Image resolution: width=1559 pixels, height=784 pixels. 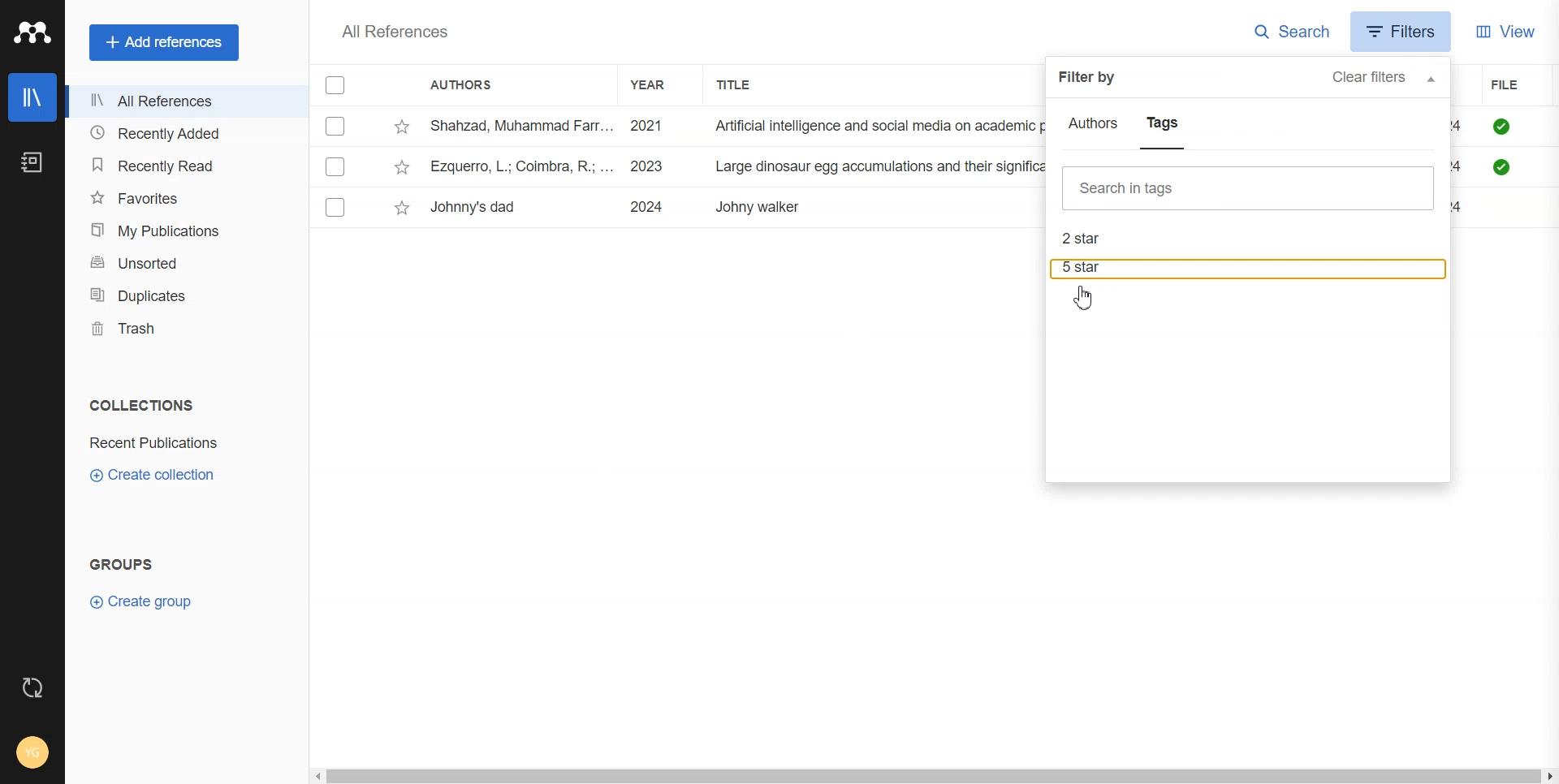 What do you see at coordinates (402, 167) in the screenshot?
I see `star` at bounding box center [402, 167].